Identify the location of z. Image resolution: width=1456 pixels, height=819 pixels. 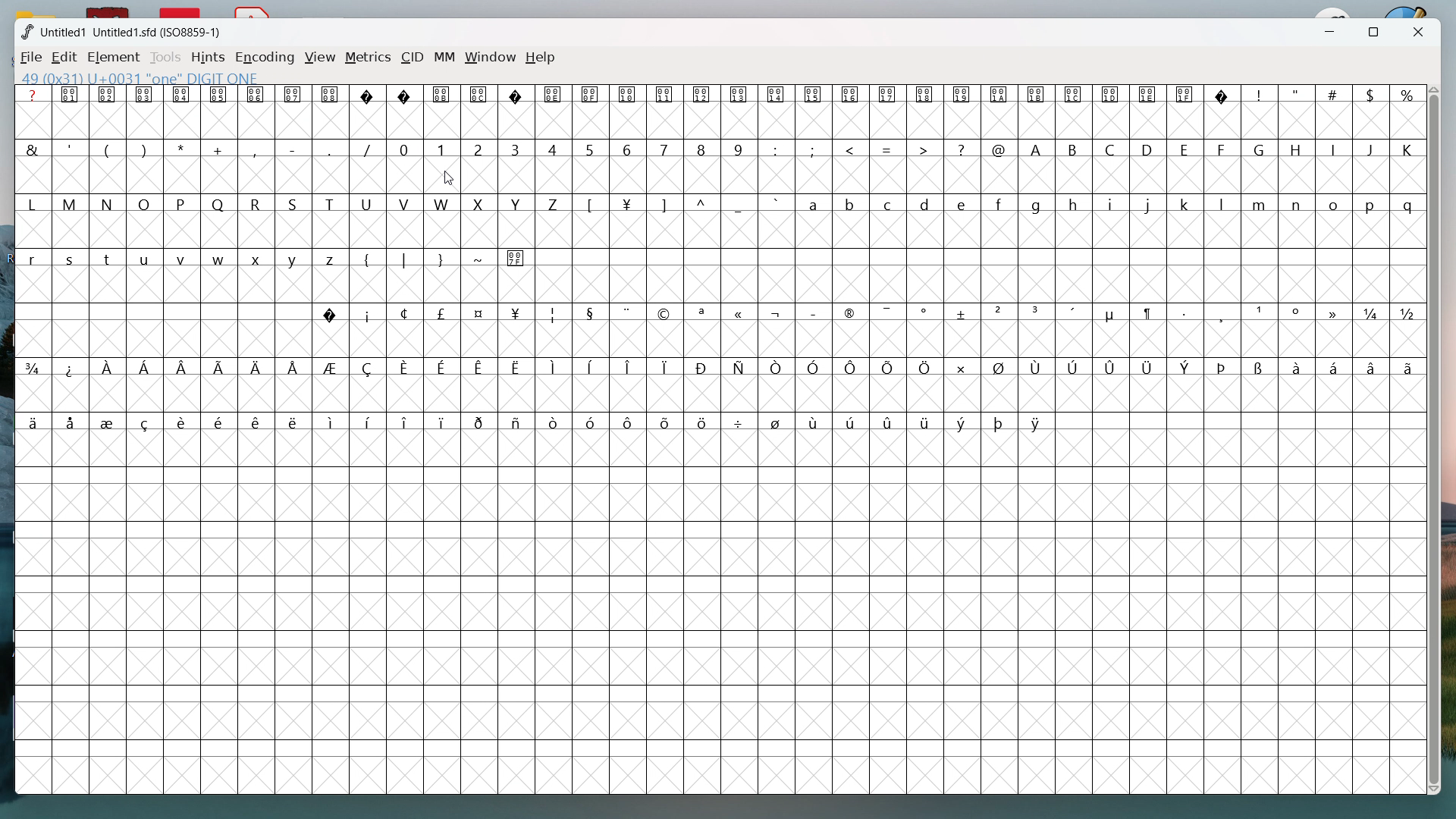
(334, 257).